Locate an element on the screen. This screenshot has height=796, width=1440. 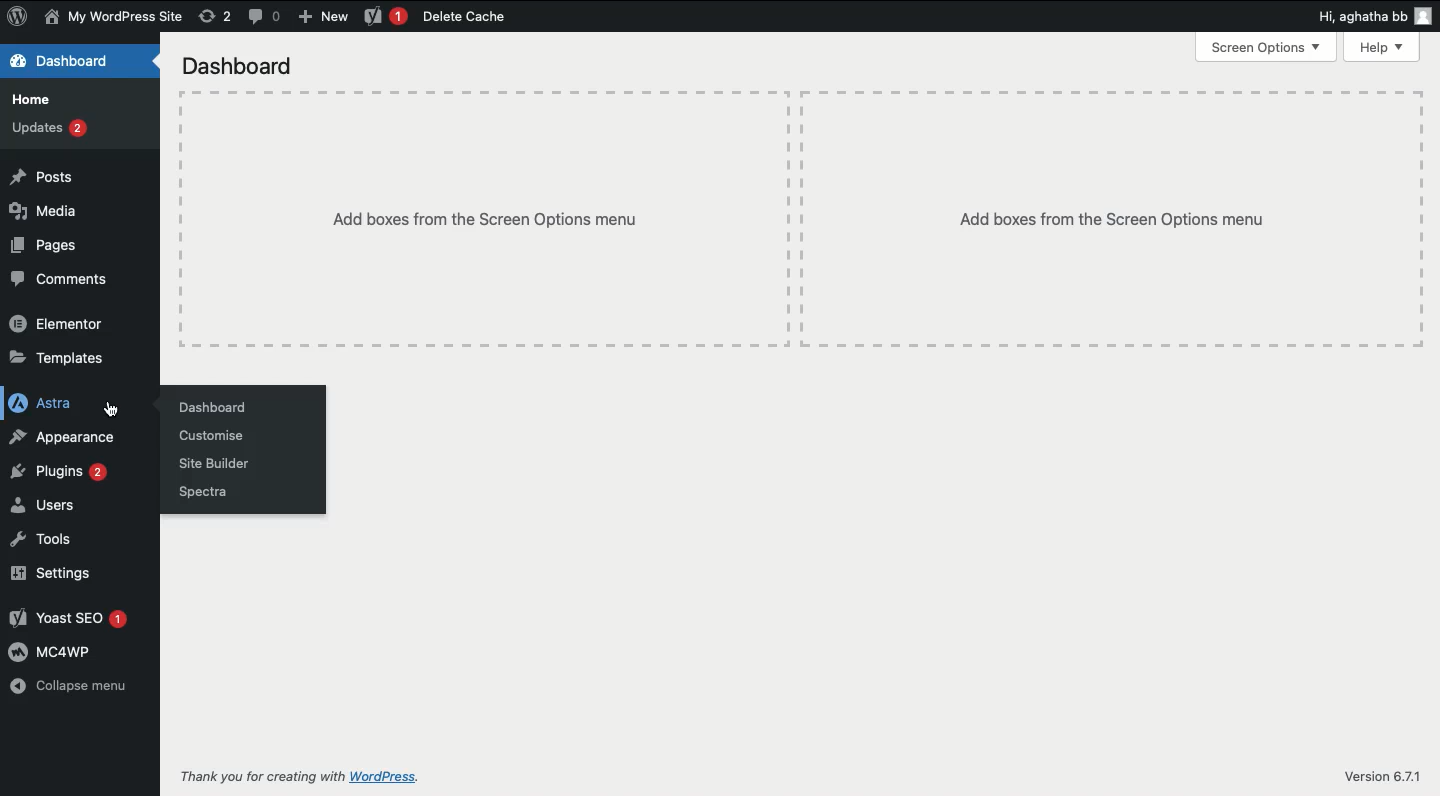
Appearance is located at coordinates (67, 437).